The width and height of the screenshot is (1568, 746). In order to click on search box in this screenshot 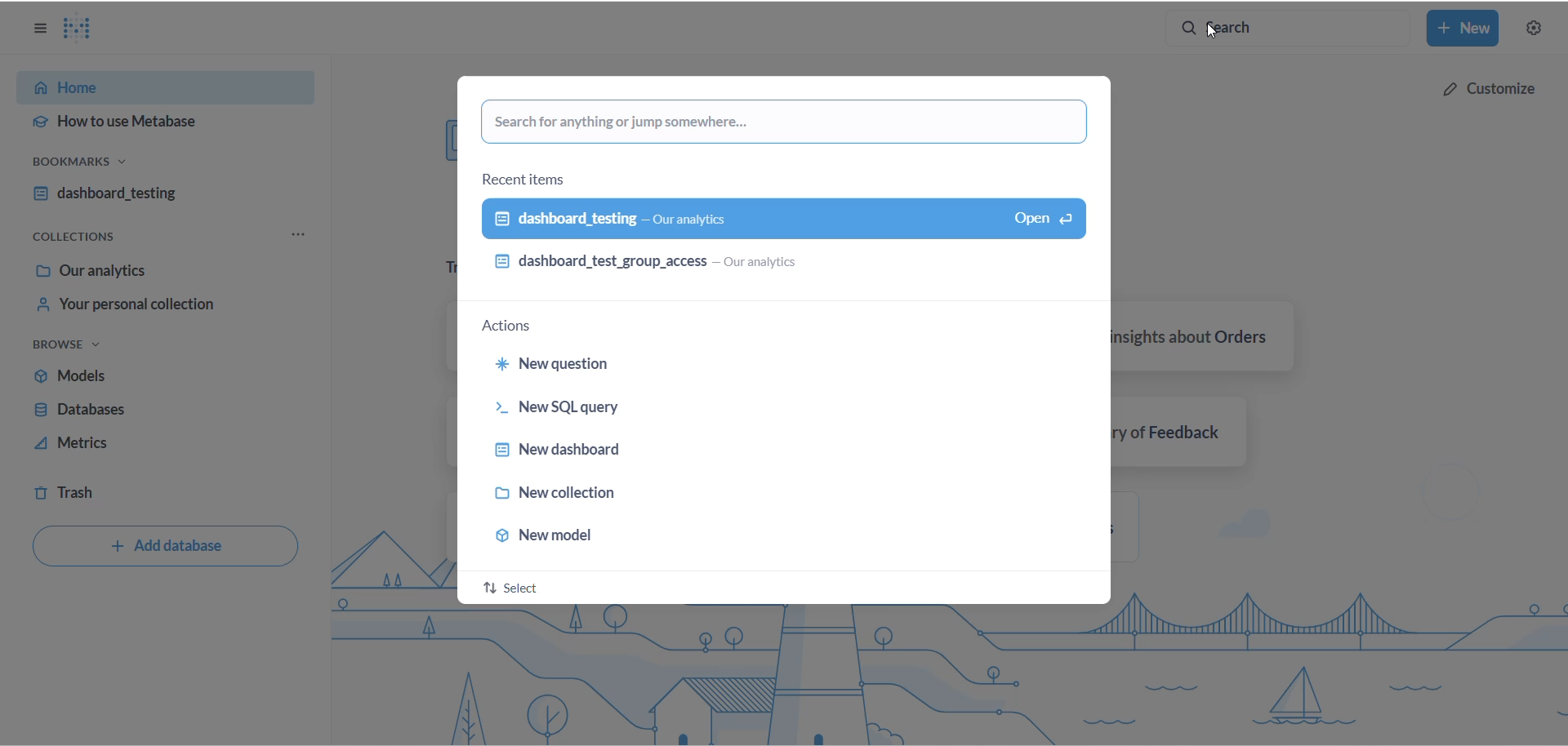, I will do `click(782, 122)`.